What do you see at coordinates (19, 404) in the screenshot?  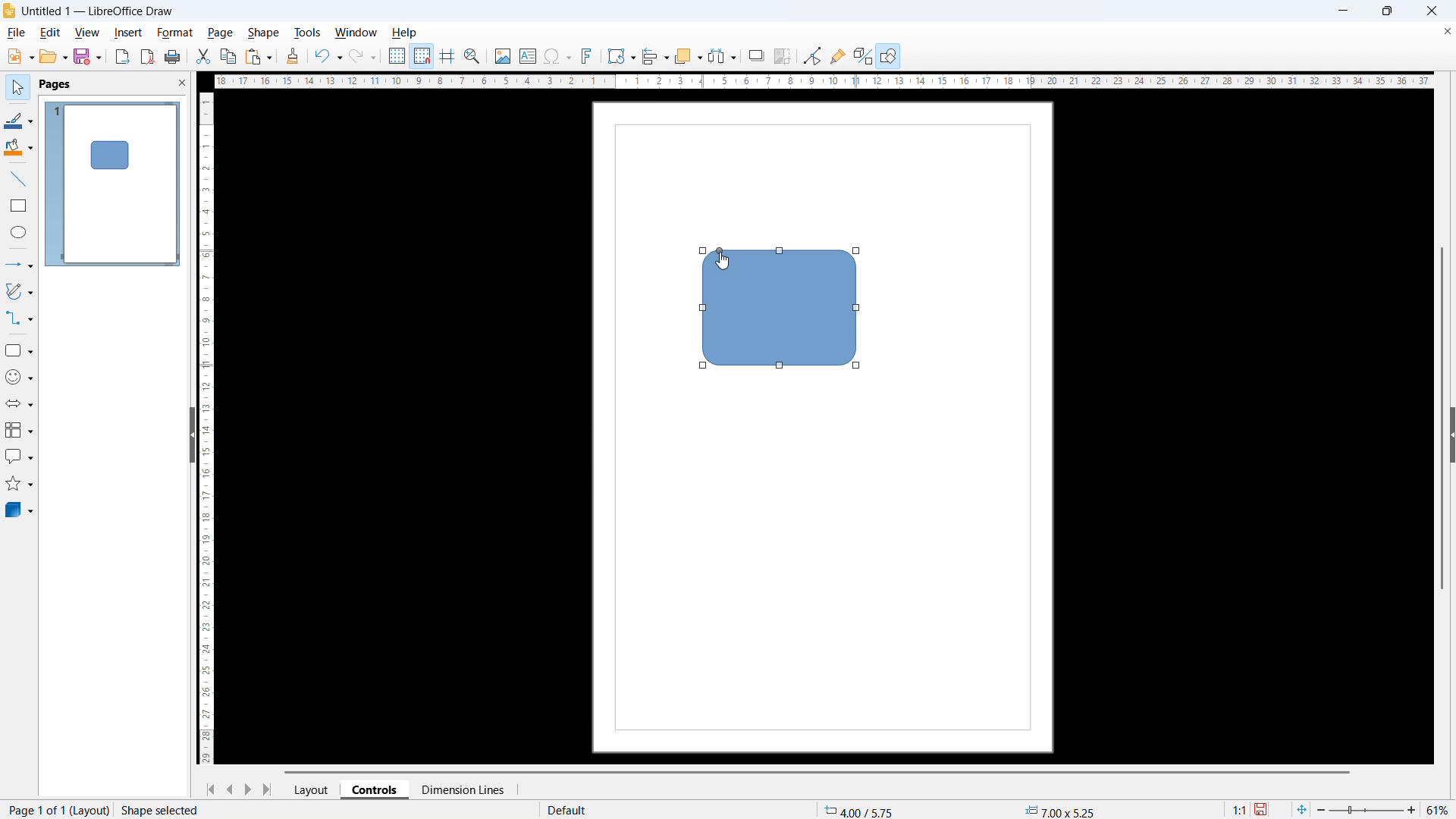 I see `Block arrows ` at bounding box center [19, 404].